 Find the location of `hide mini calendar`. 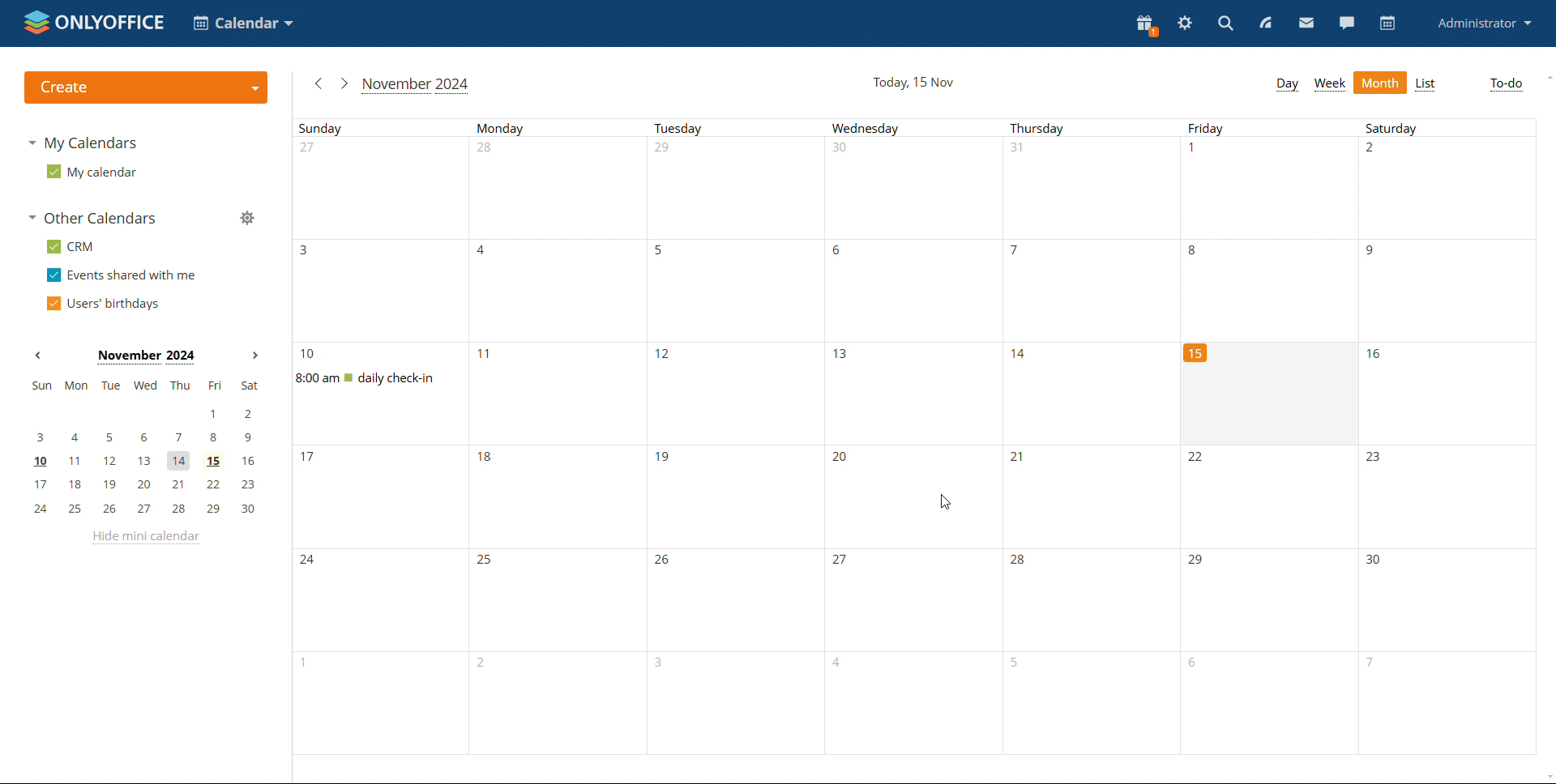

hide mini calendar is located at coordinates (145, 539).